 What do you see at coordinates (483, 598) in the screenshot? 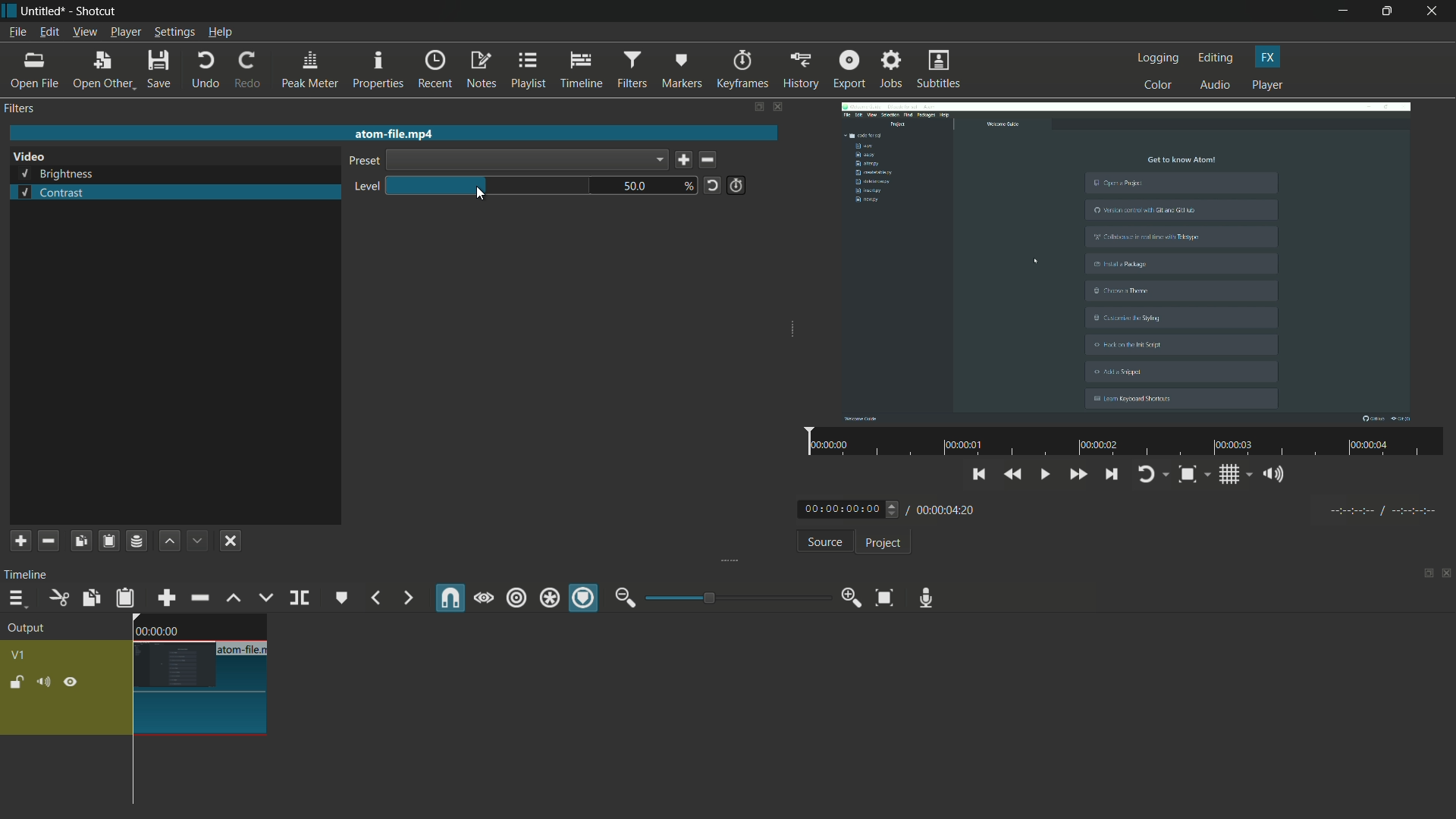
I see `scrub while dragging` at bounding box center [483, 598].